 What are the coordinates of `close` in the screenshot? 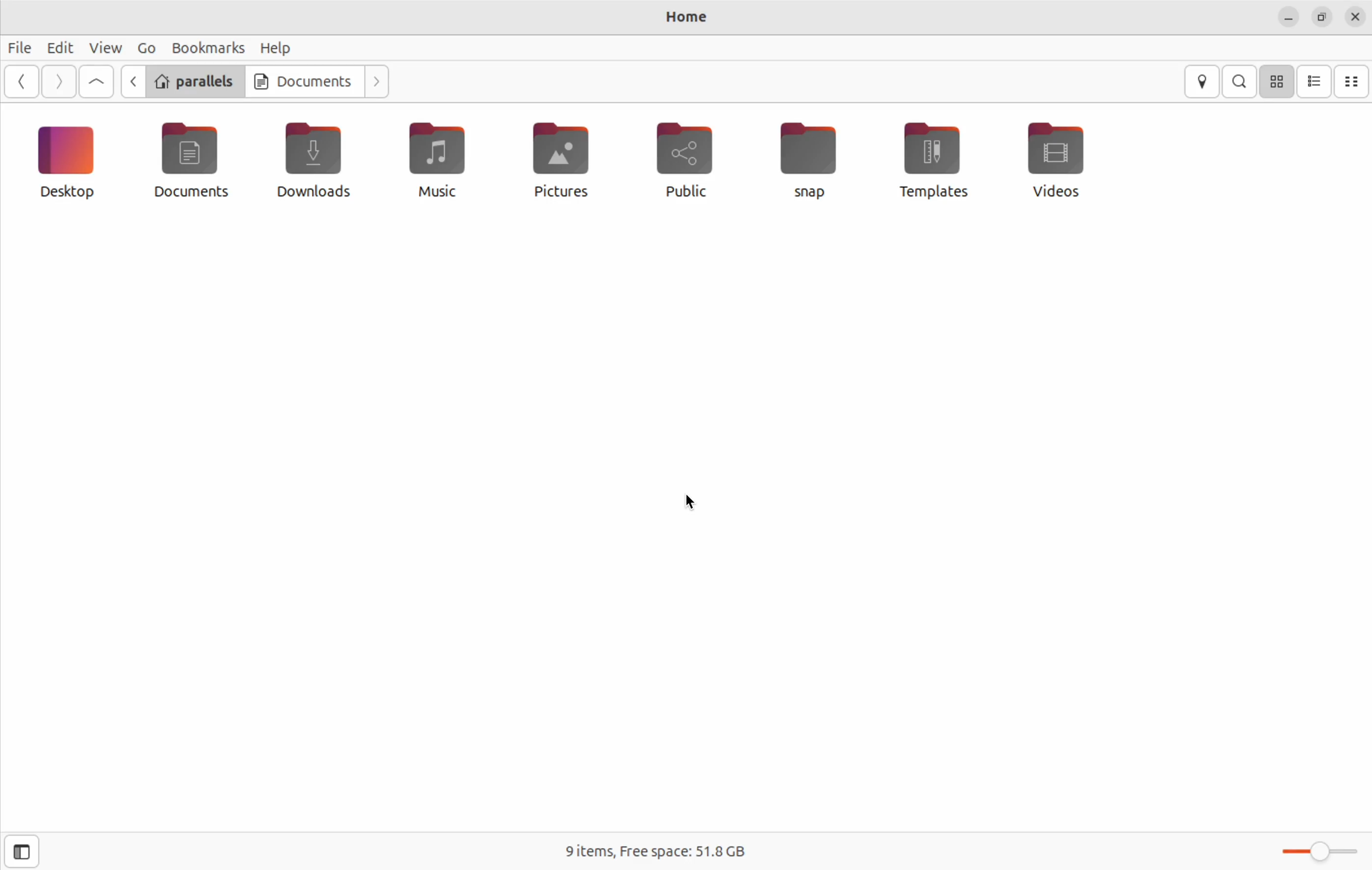 It's located at (1355, 18).